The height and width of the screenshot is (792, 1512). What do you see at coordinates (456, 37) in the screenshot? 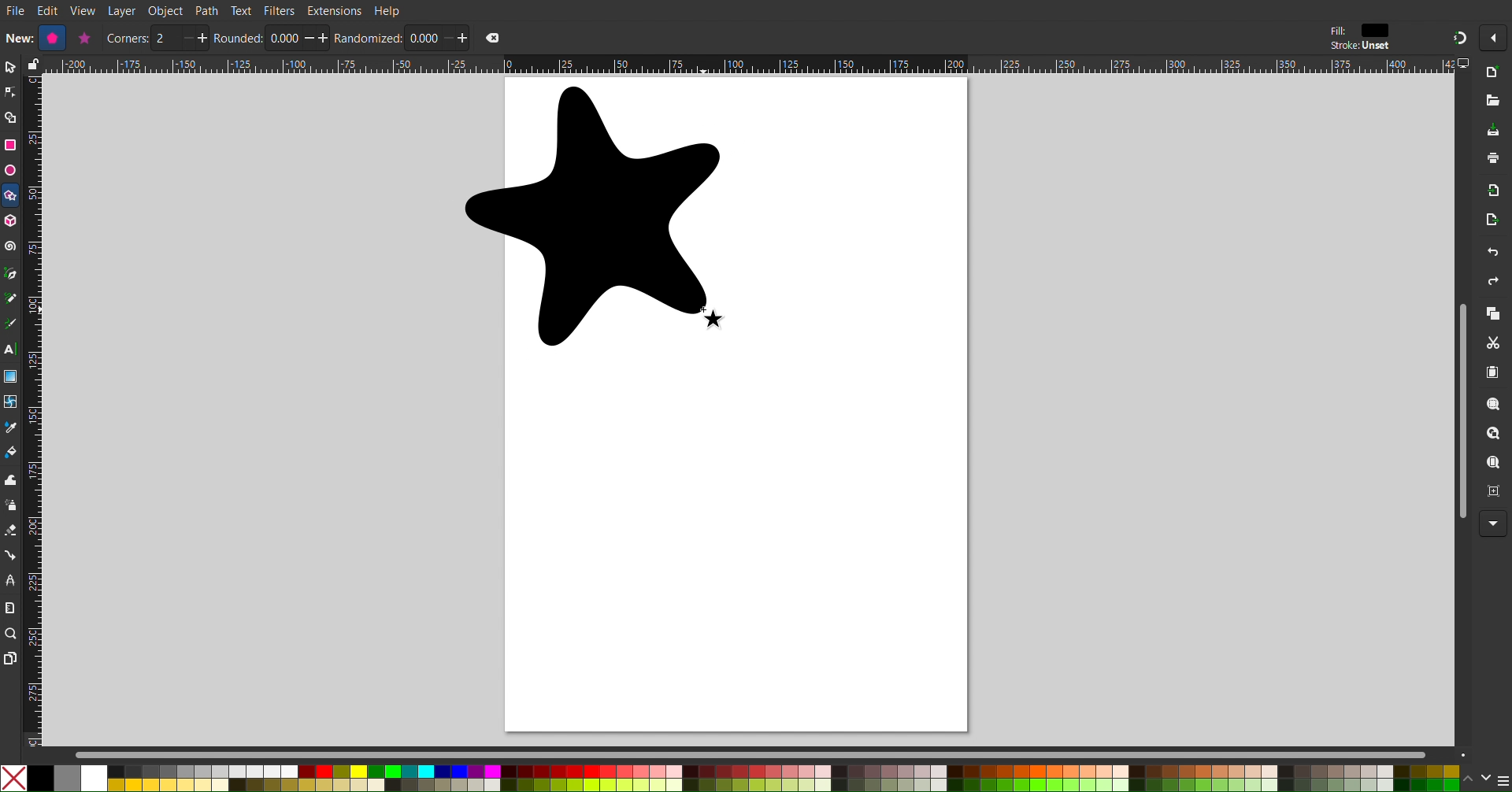
I see `increase/decrease` at bounding box center [456, 37].